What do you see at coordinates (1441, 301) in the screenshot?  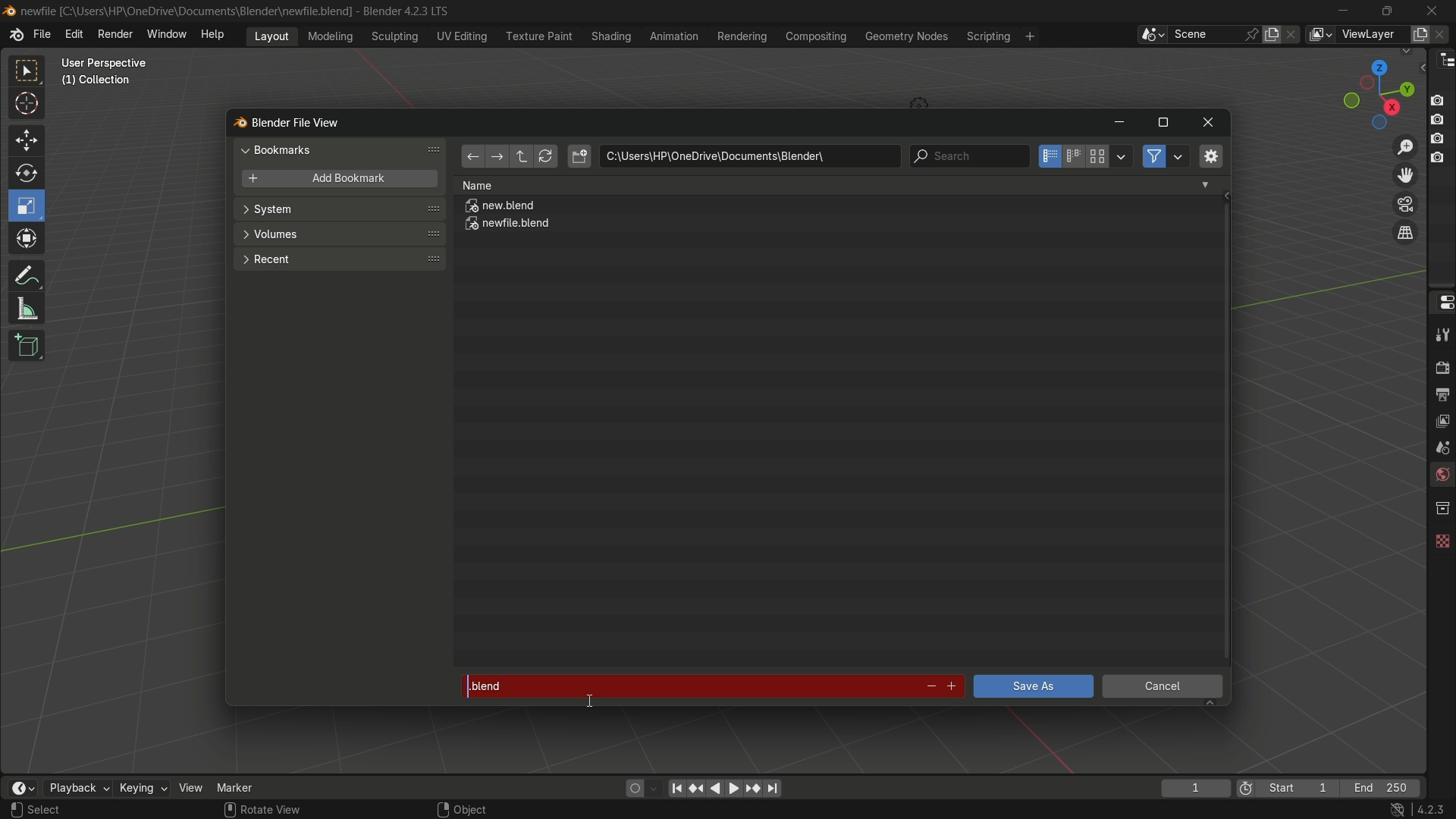 I see `properties` at bounding box center [1441, 301].